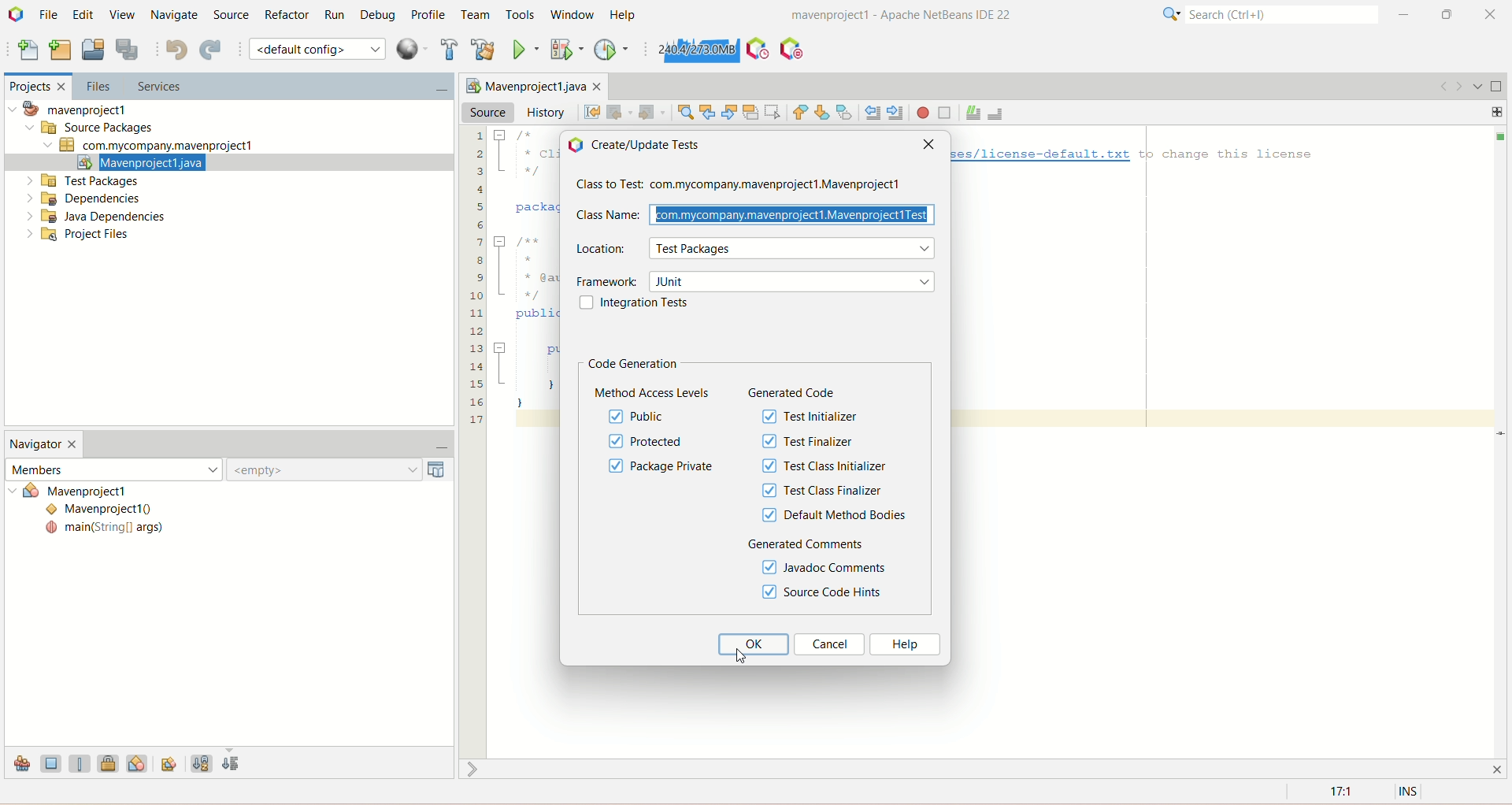 This screenshot has width=1512, height=805. I want to click on refactor, so click(287, 15).